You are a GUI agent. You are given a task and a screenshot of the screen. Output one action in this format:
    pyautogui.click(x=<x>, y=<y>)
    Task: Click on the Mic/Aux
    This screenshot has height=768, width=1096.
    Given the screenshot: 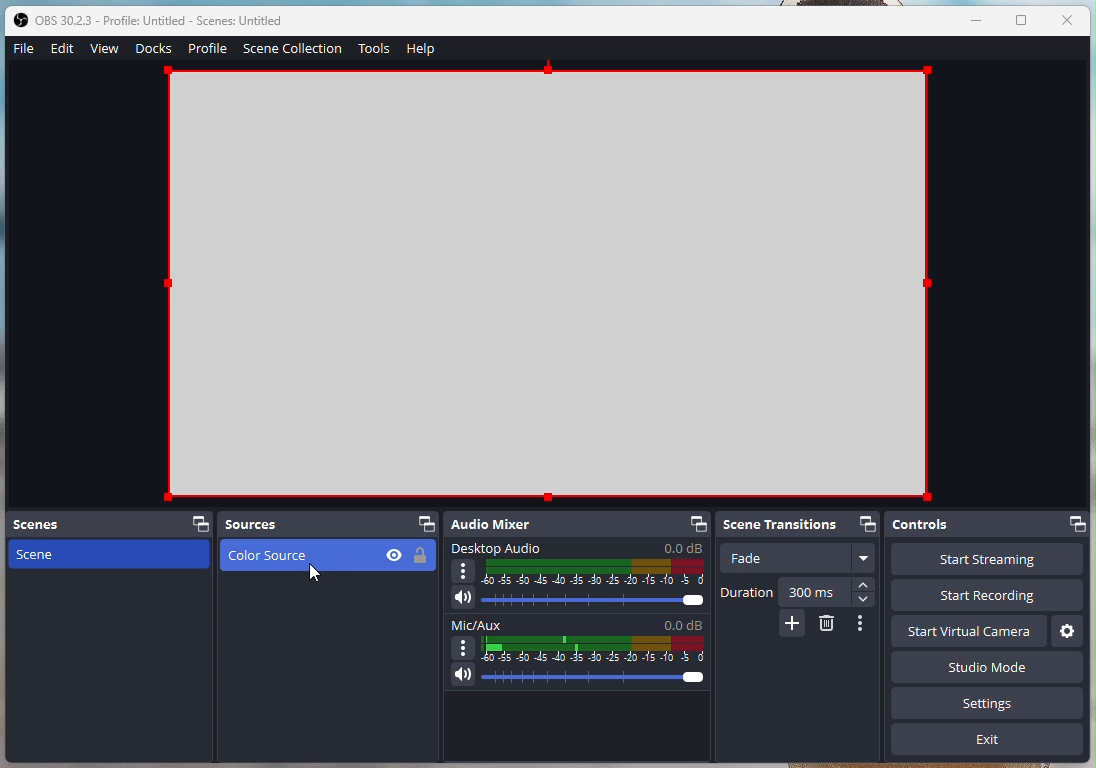 What is the action you would take?
    pyautogui.click(x=577, y=654)
    